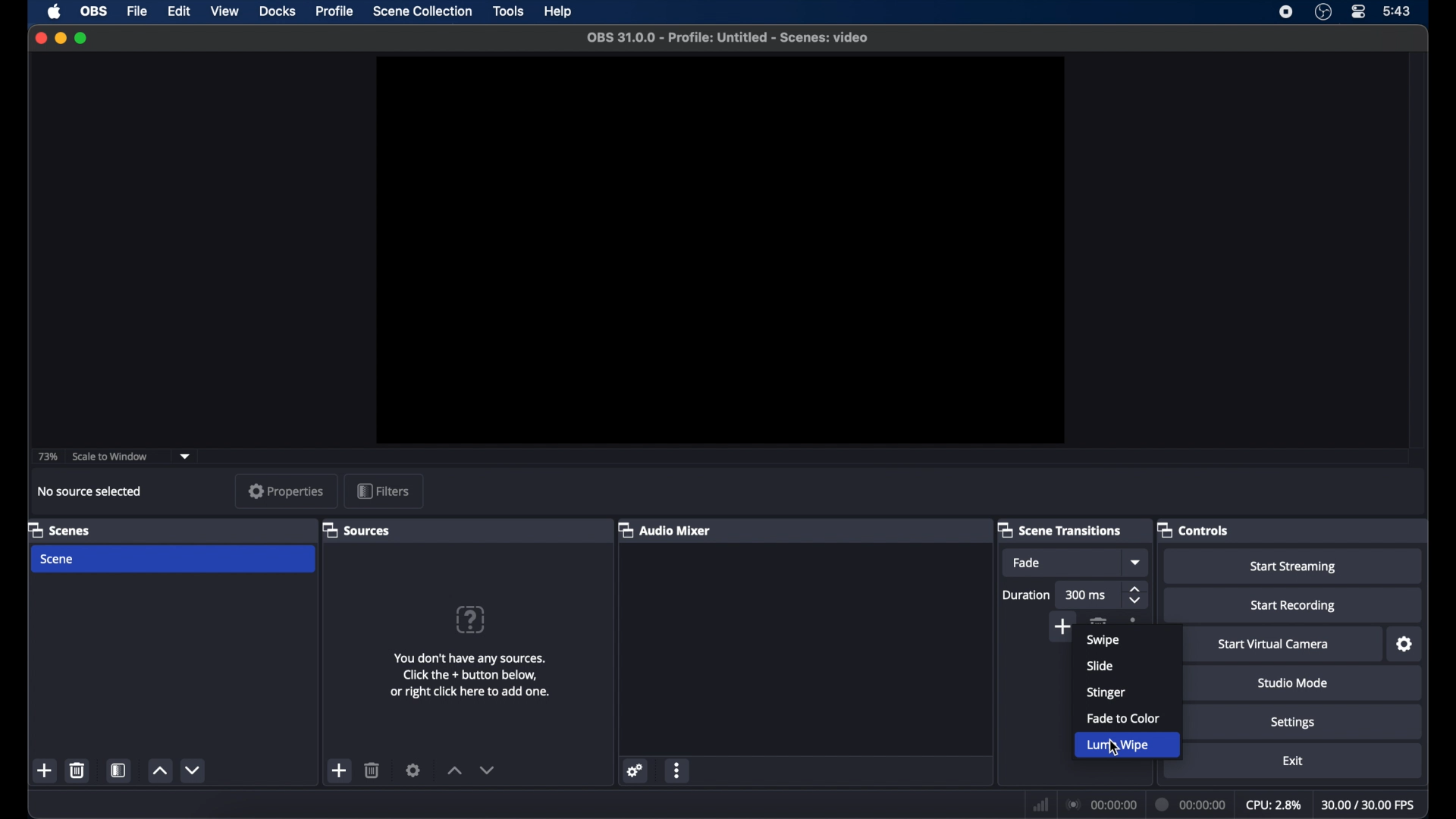 This screenshot has width=1456, height=819. Describe the element at coordinates (1359, 11) in the screenshot. I see `control center` at that location.